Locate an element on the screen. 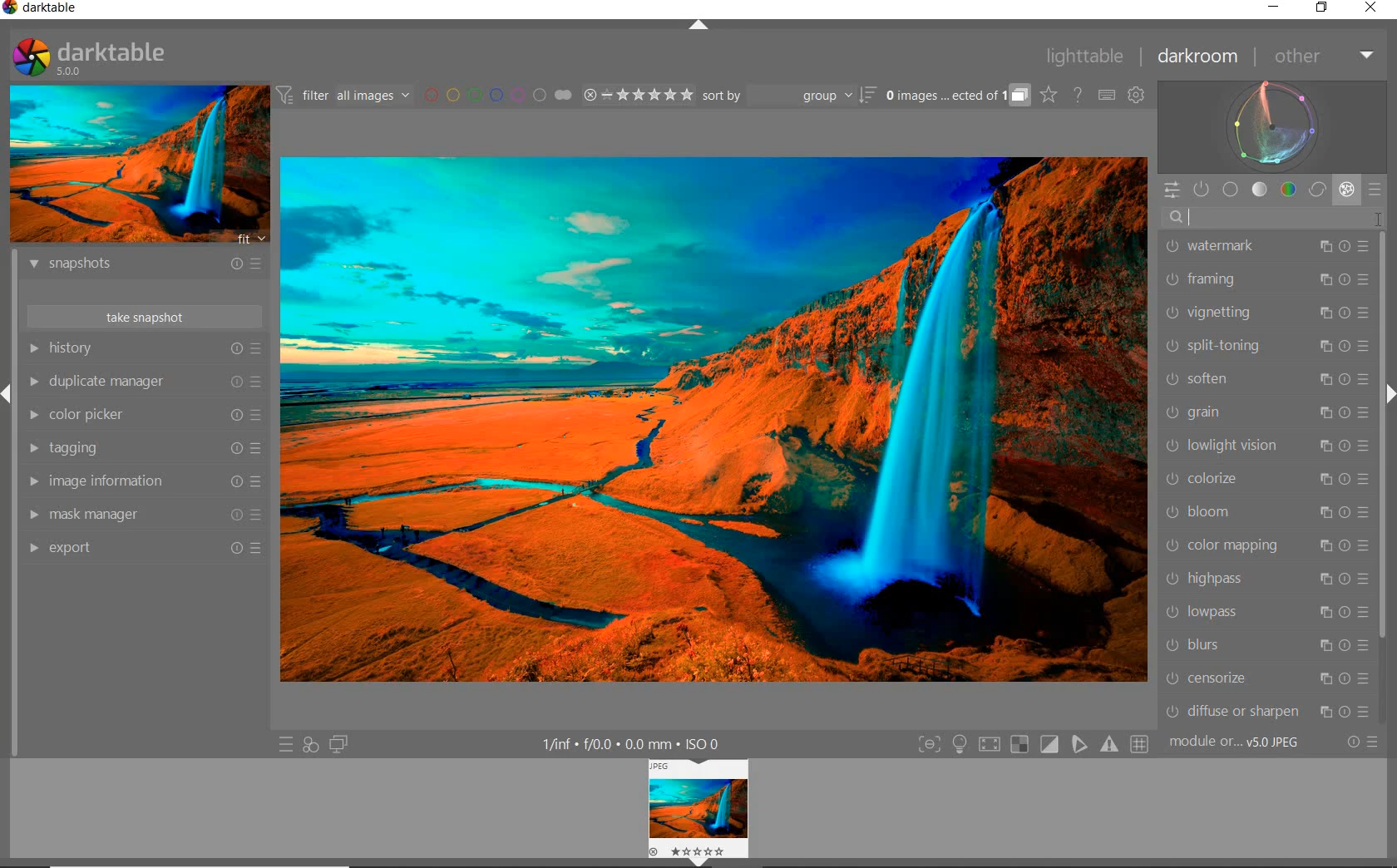 This screenshot has width=1397, height=868. SET KEYBOARD SHORTCUTS is located at coordinates (1108, 96).